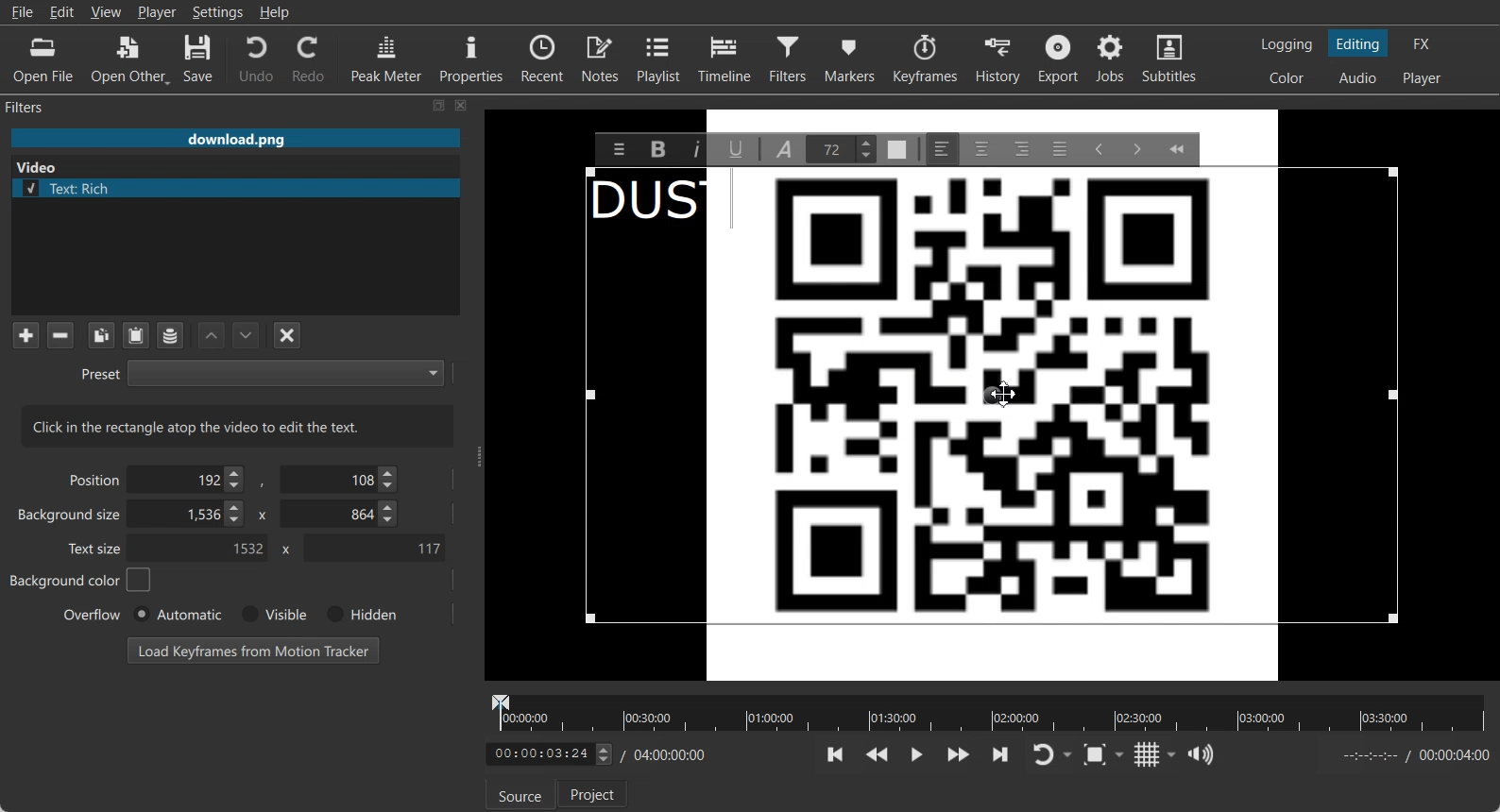 This screenshot has height=812, width=1500. Describe the element at coordinates (1287, 44) in the screenshot. I see `Switching to the logging layout` at that location.